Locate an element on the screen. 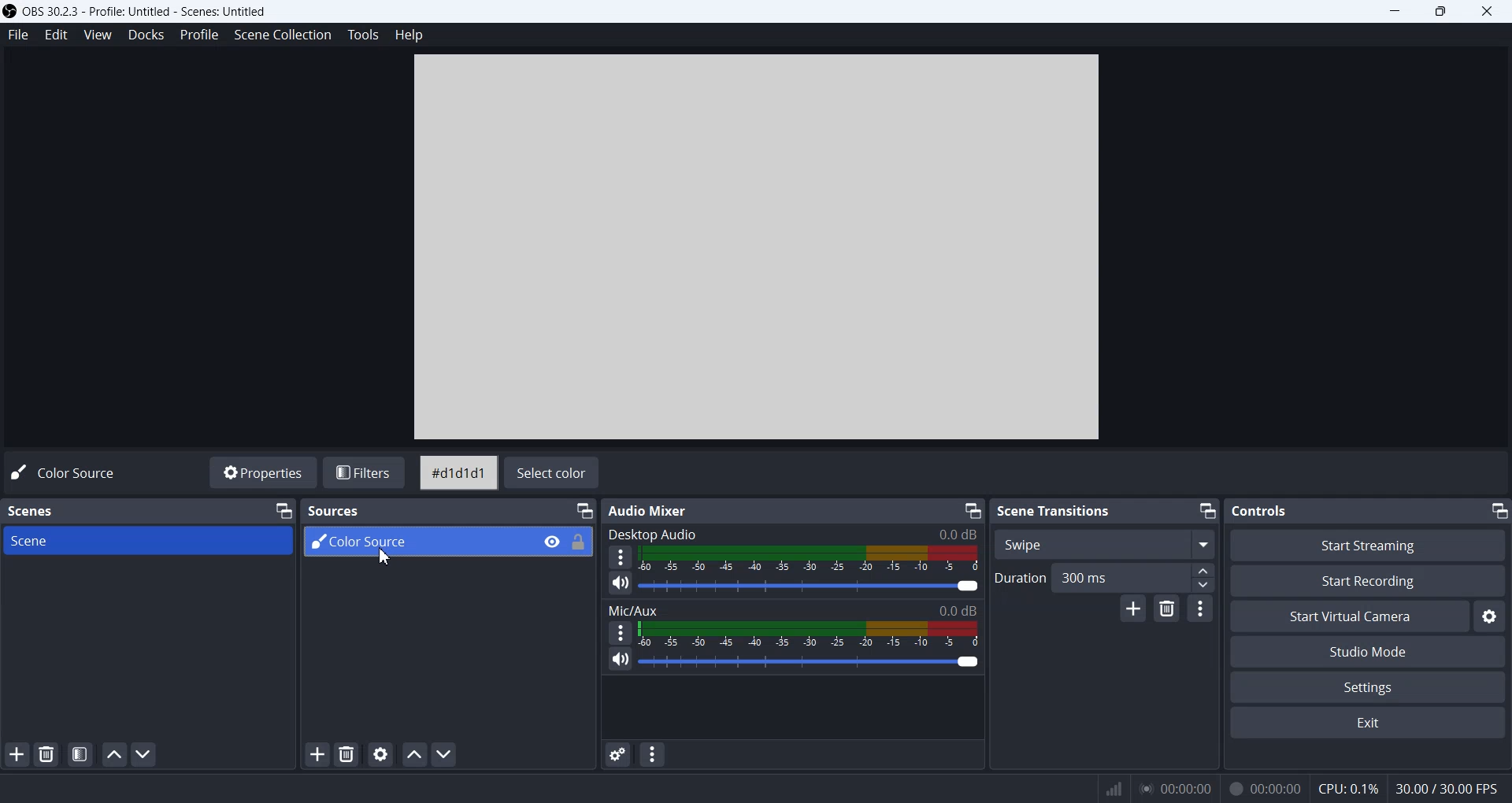 This screenshot has height=803, width=1512. File is located at coordinates (17, 36).